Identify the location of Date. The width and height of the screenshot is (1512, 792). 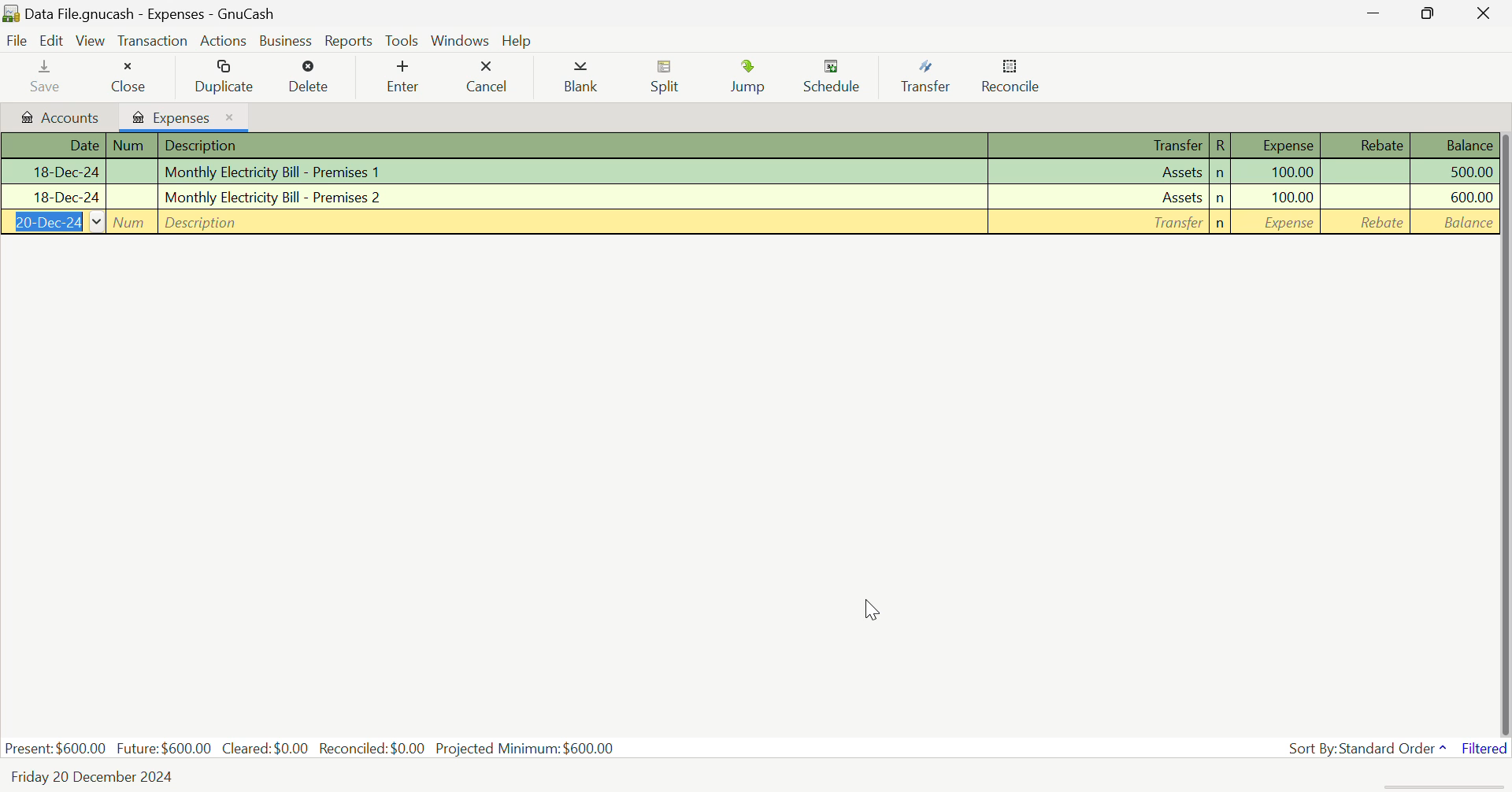
(53, 146).